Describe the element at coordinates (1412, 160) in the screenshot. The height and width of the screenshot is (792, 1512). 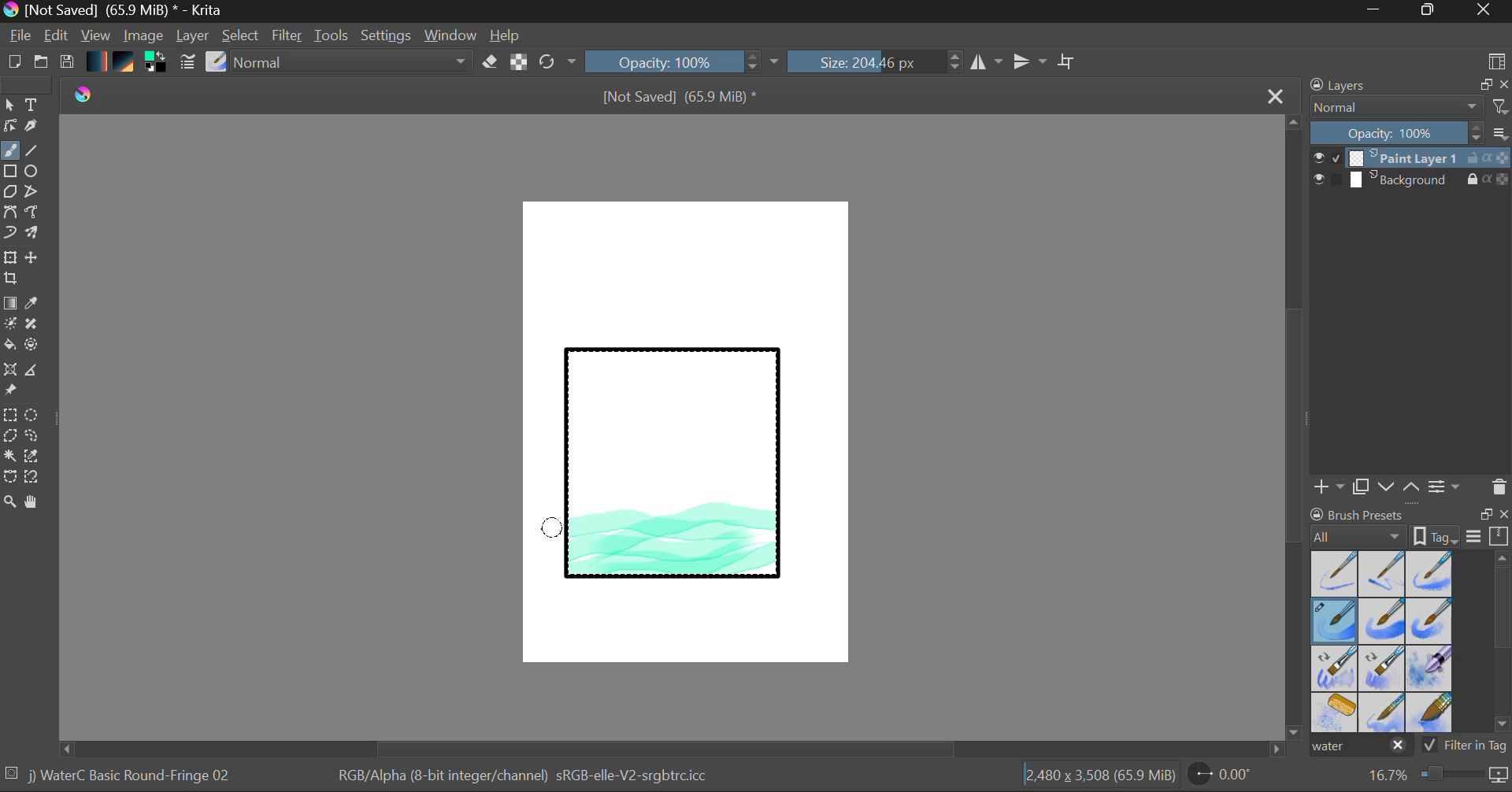
I see `Layer 1` at that location.